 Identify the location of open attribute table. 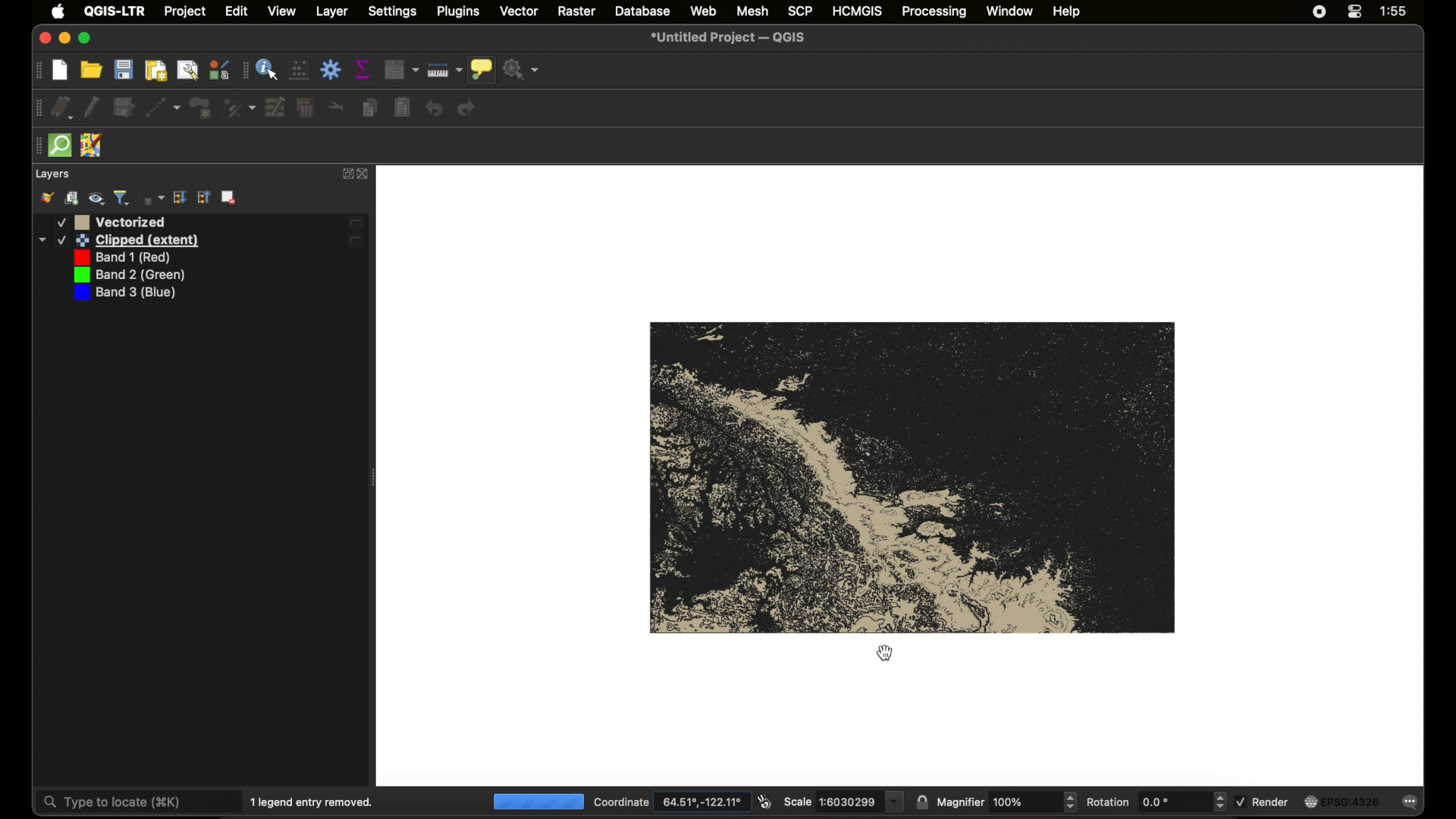
(401, 70).